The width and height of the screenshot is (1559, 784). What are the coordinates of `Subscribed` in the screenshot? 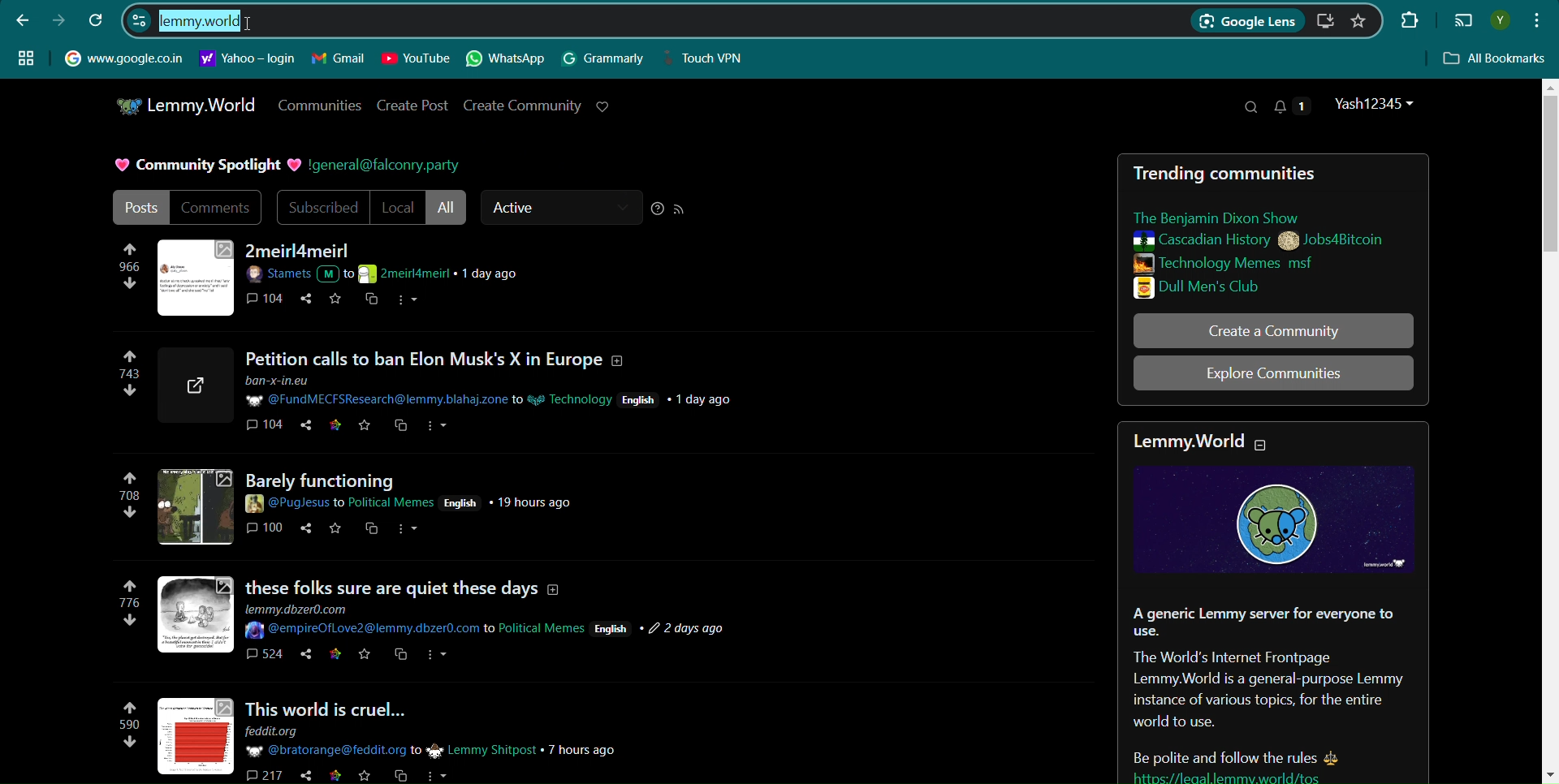 It's located at (321, 208).